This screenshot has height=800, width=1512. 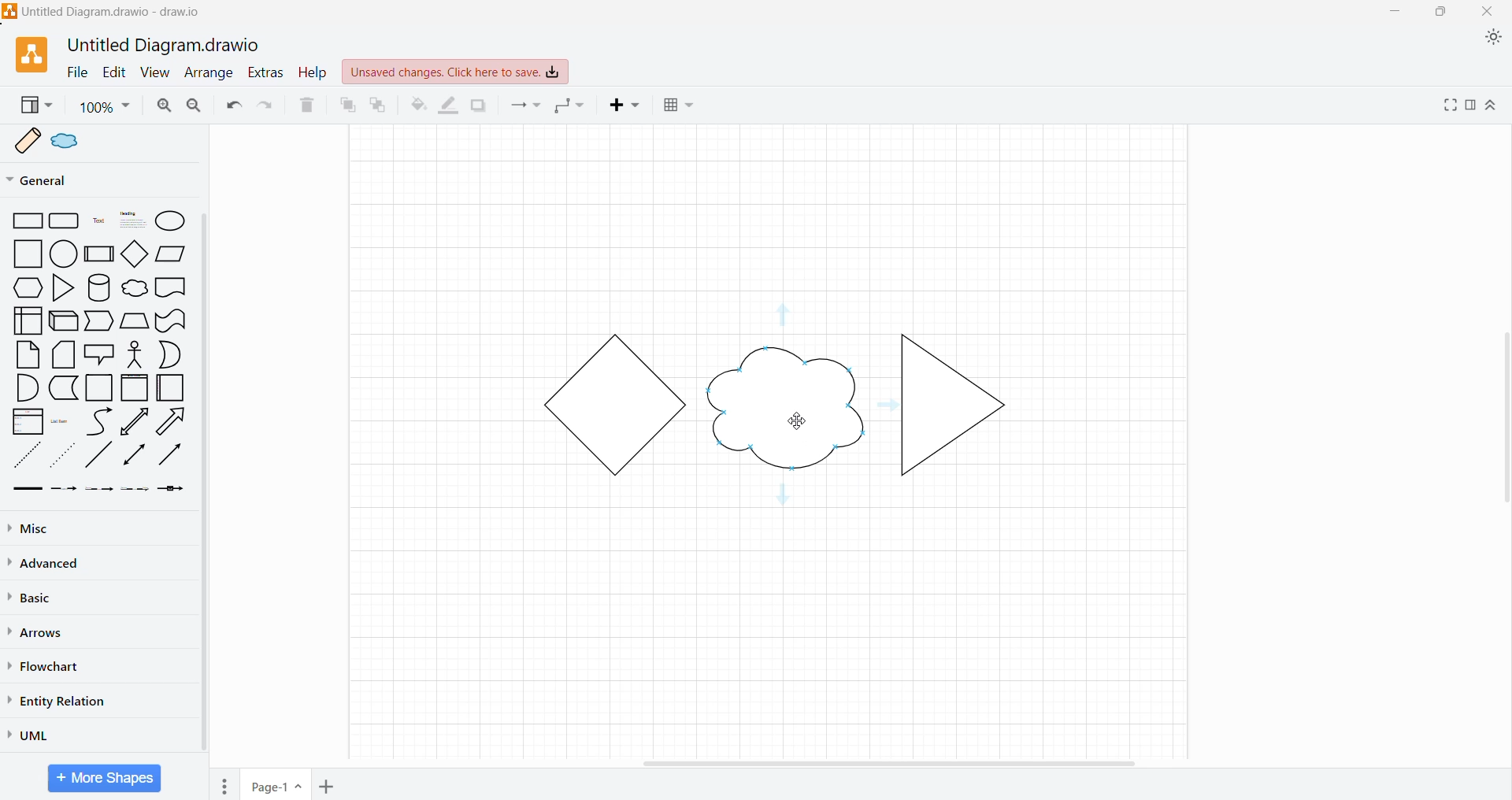 I want to click on Close, so click(x=1492, y=12).